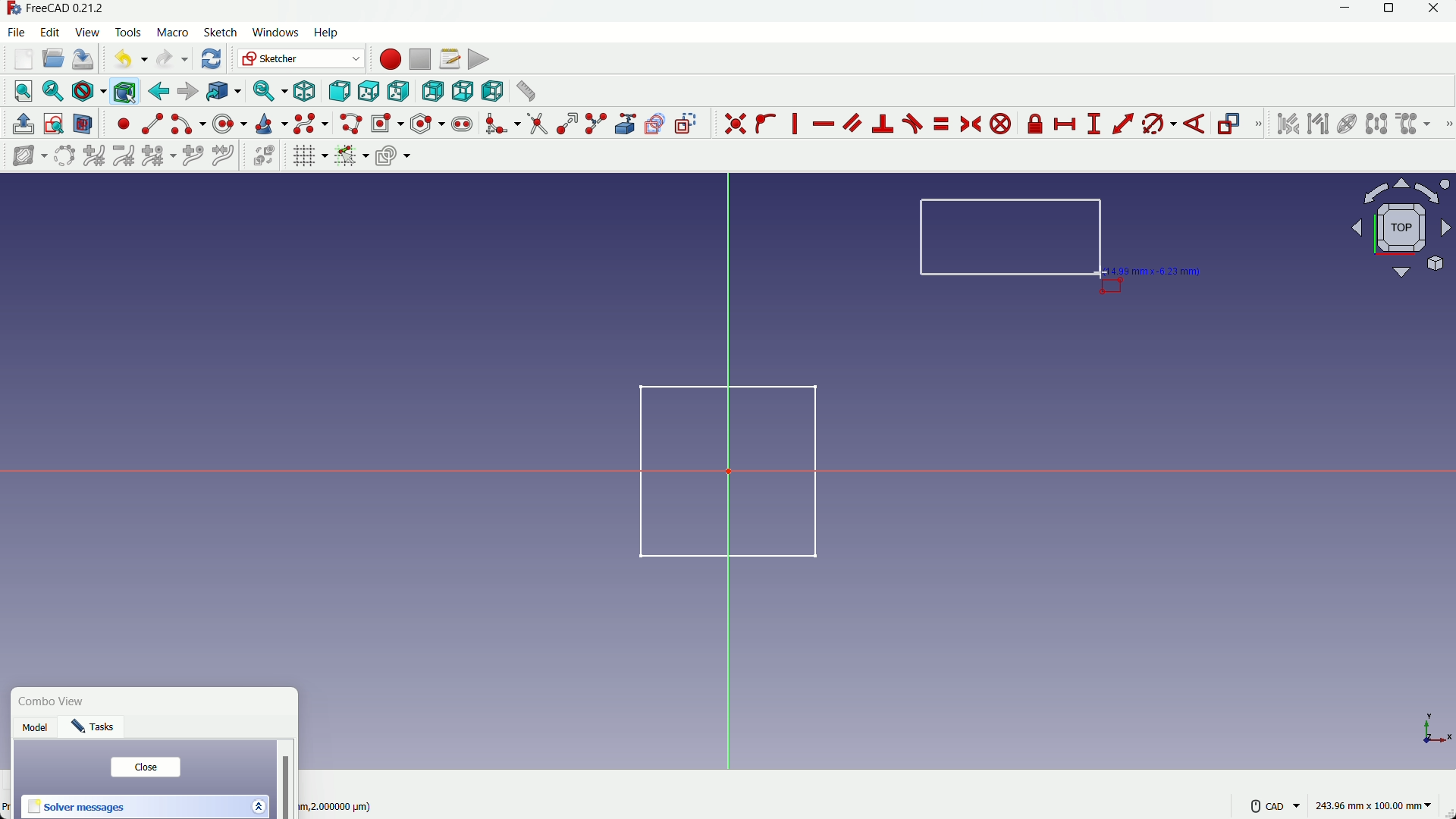  What do you see at coordinates (23, 90) in the screenshot?
I see `select all` at bounding box center [23, 90].